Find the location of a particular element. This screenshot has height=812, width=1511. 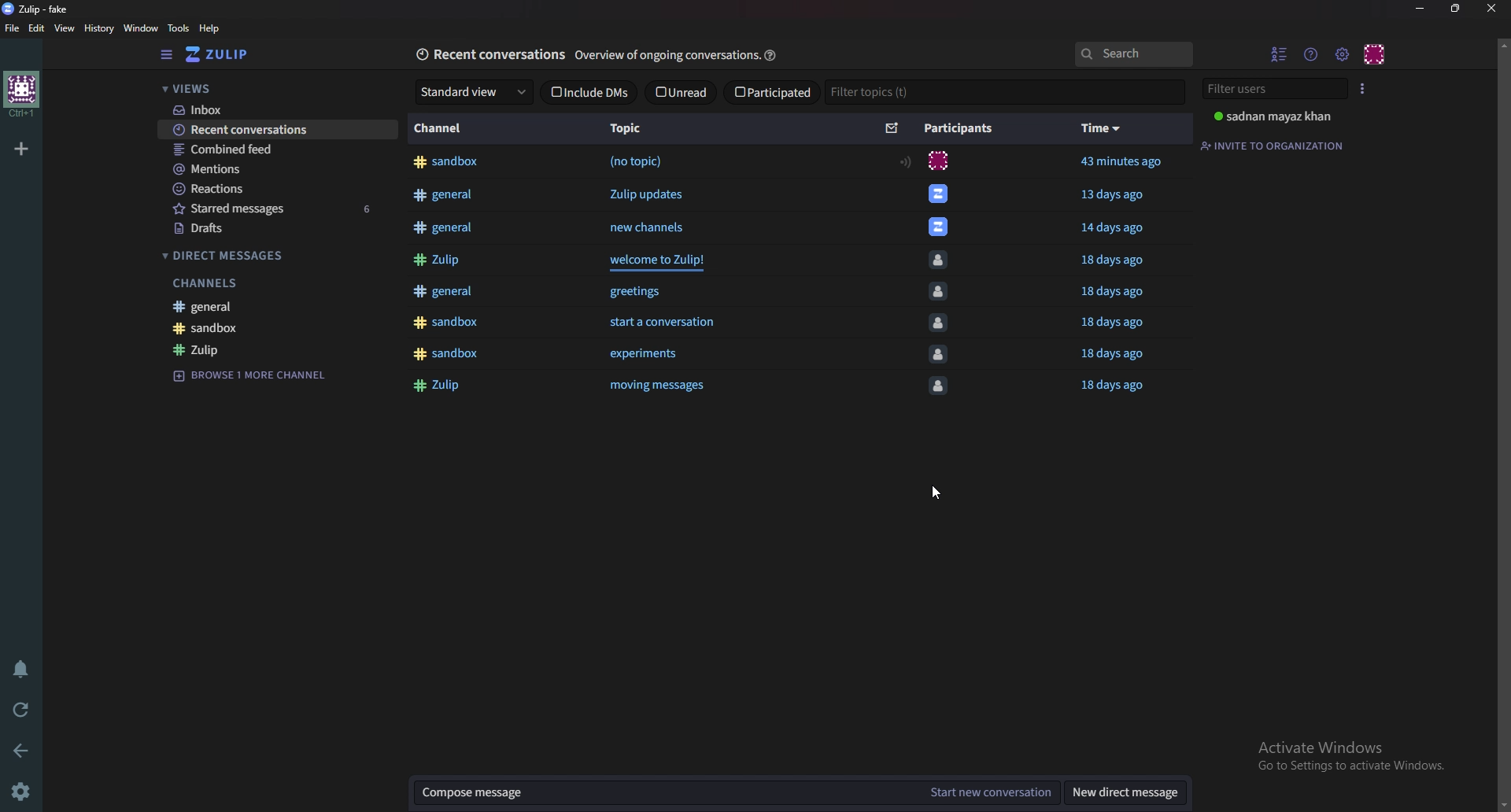

Compose message is located at coordinates (673, 792).